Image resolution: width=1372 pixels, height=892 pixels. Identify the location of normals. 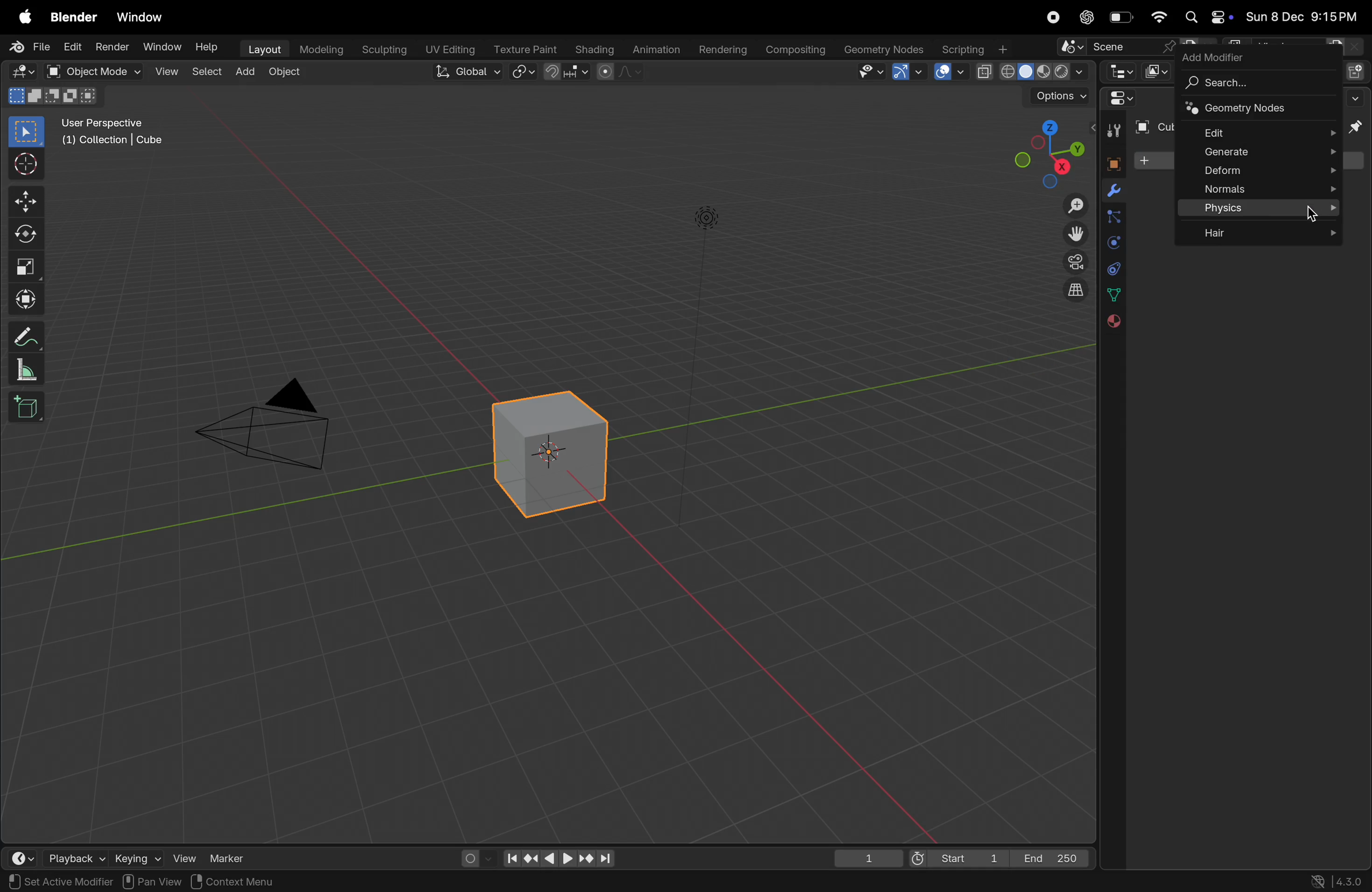
(1261, 190).